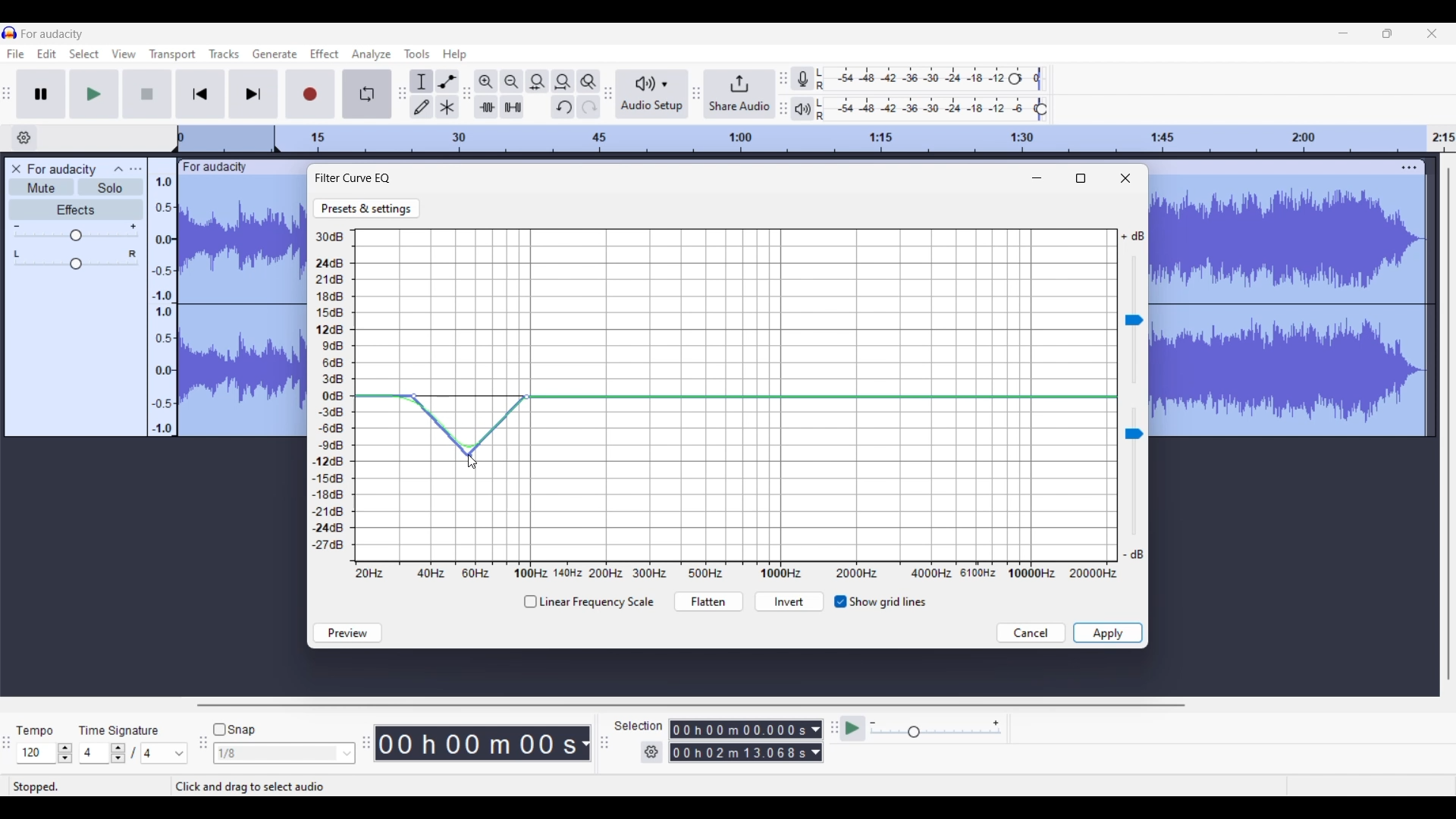  What do you see at coordinates (589, 81) in the screenshot?
I see `Zoom toggle` at bounding box center [589, 81].